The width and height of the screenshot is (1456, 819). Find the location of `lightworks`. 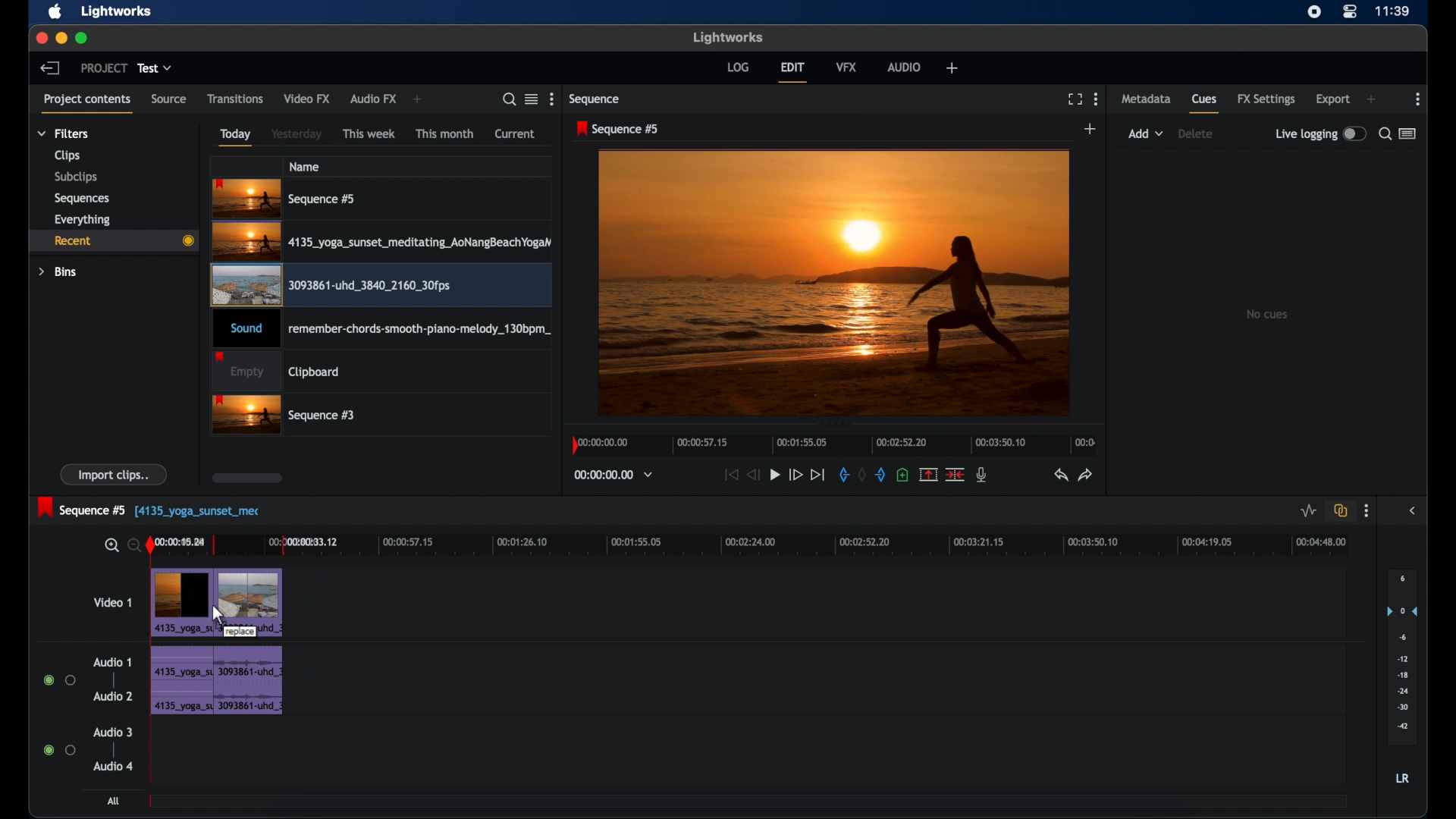

lightworks is located at coordinates (117, 11).